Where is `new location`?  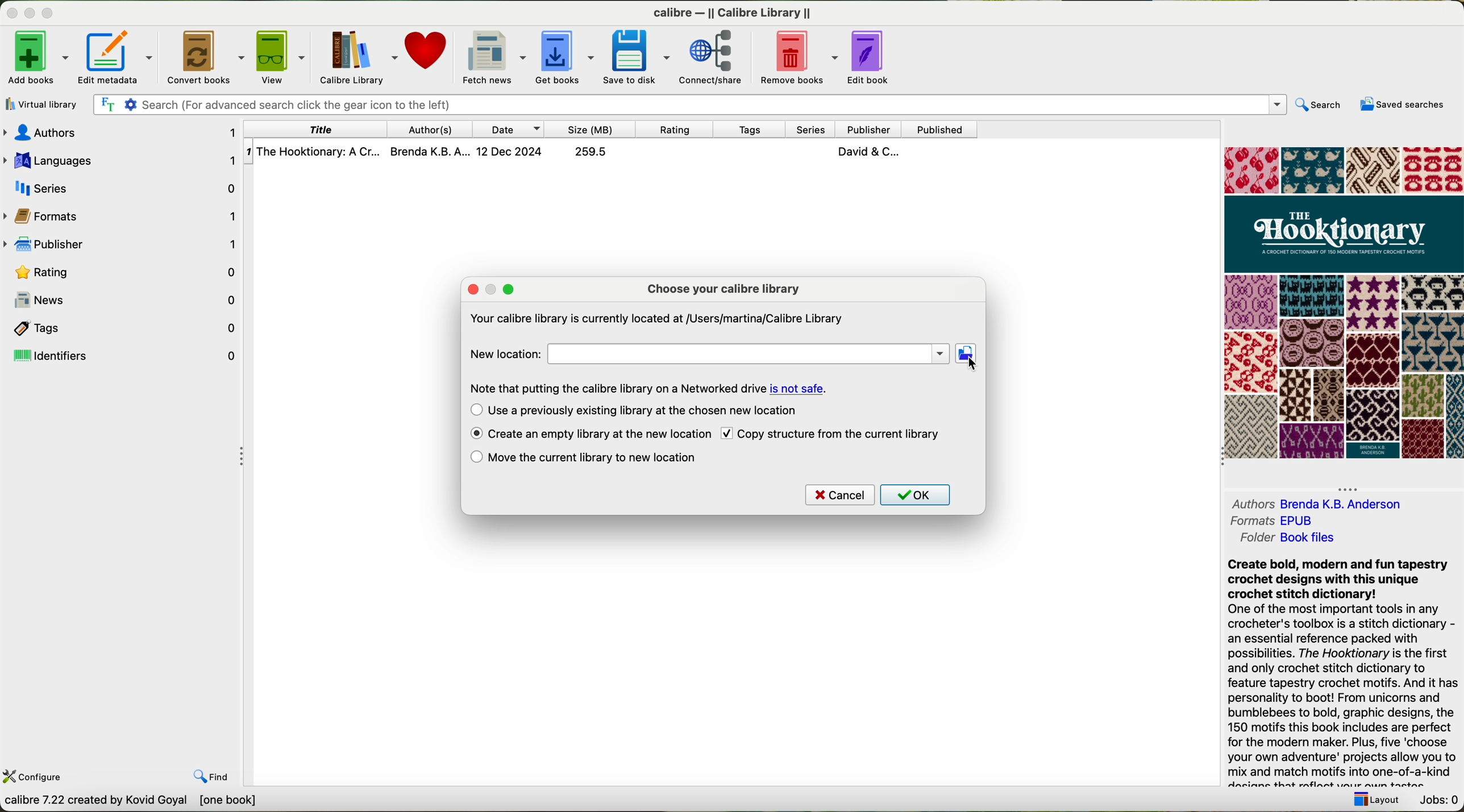
new location is located at coordinates (708, 352).